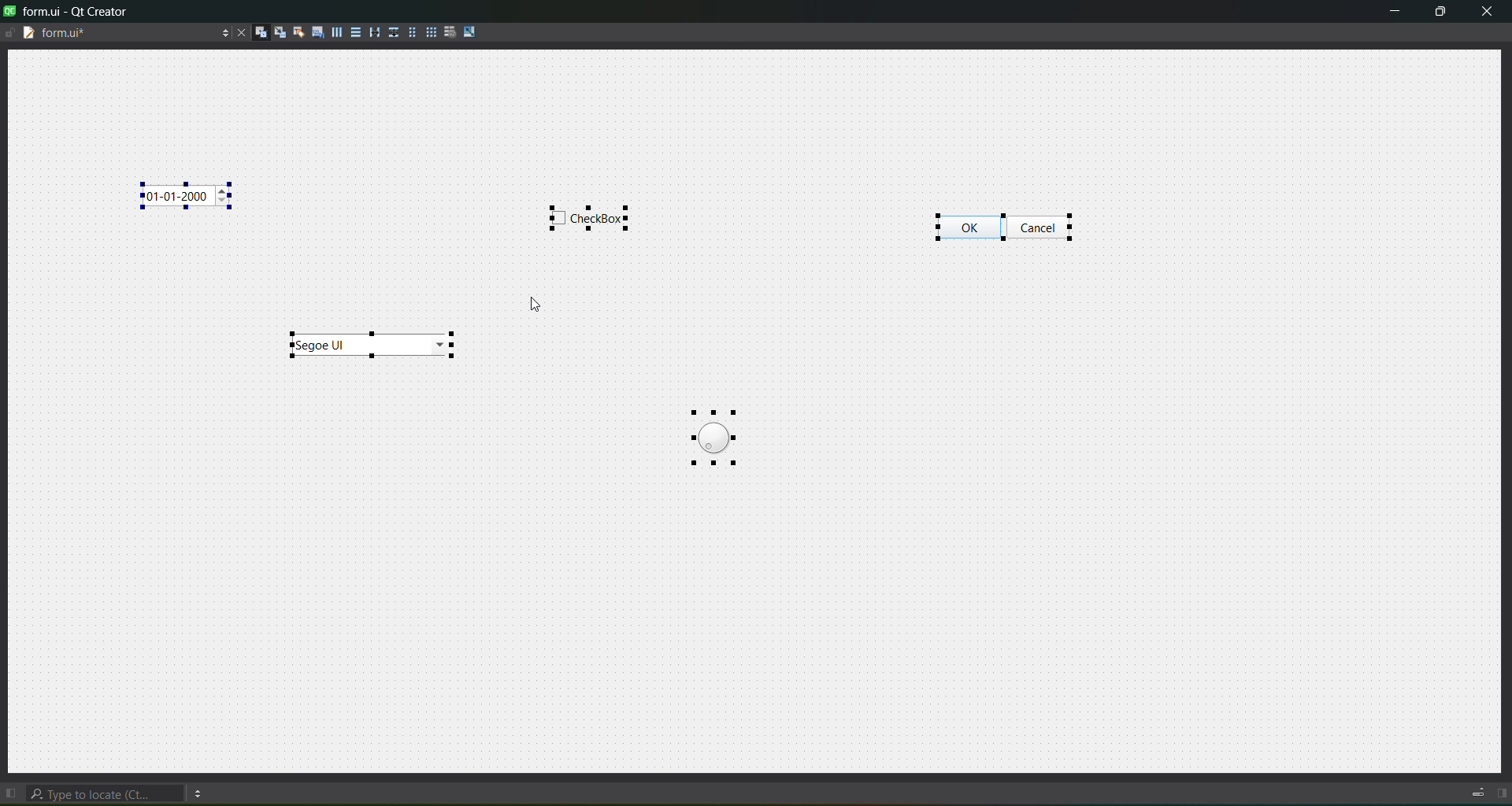  I want to click on Layout Vertical Splitter, so click(393, 31).